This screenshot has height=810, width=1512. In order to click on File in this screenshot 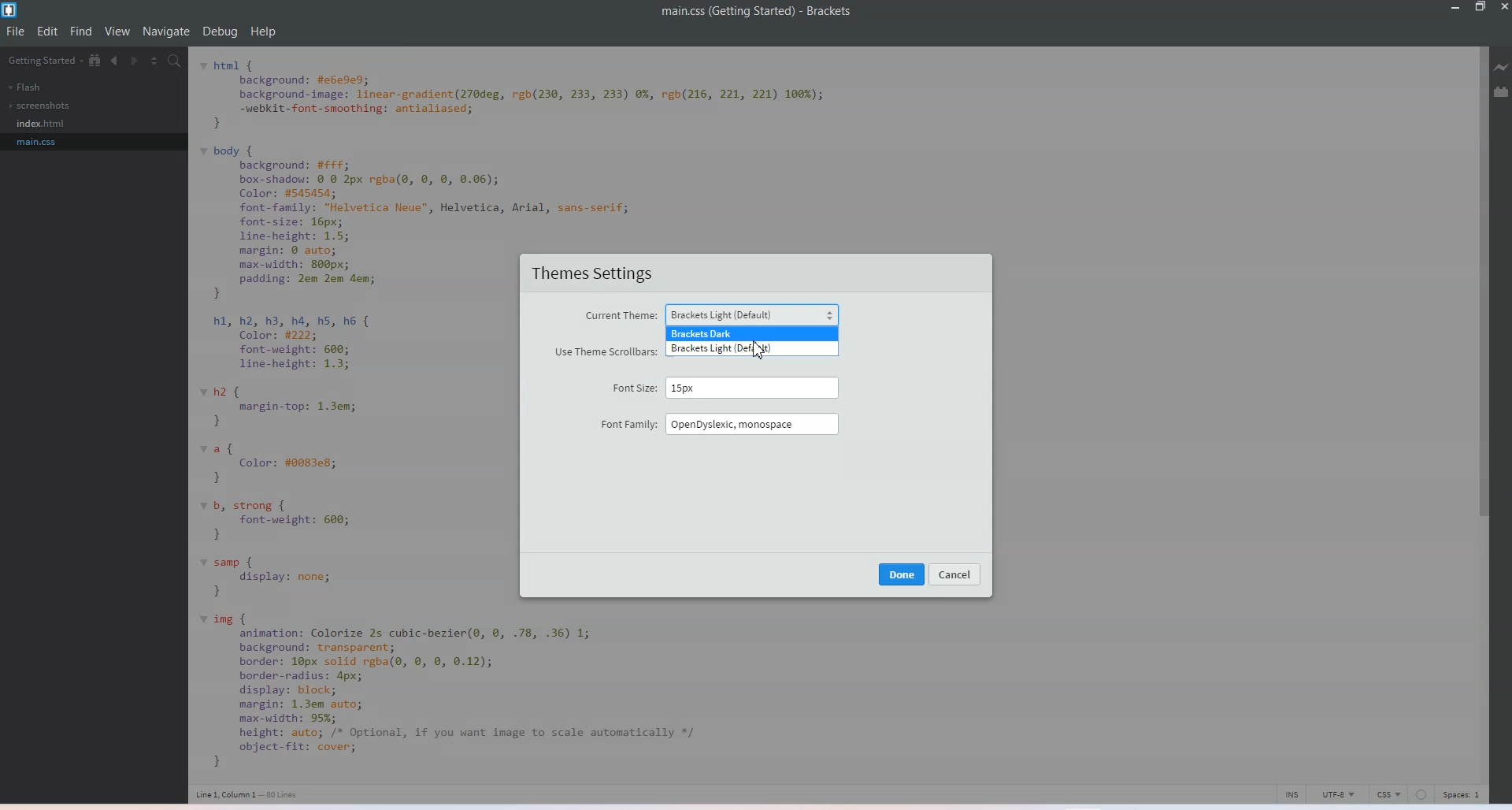, I will do `click(16, 32)`.